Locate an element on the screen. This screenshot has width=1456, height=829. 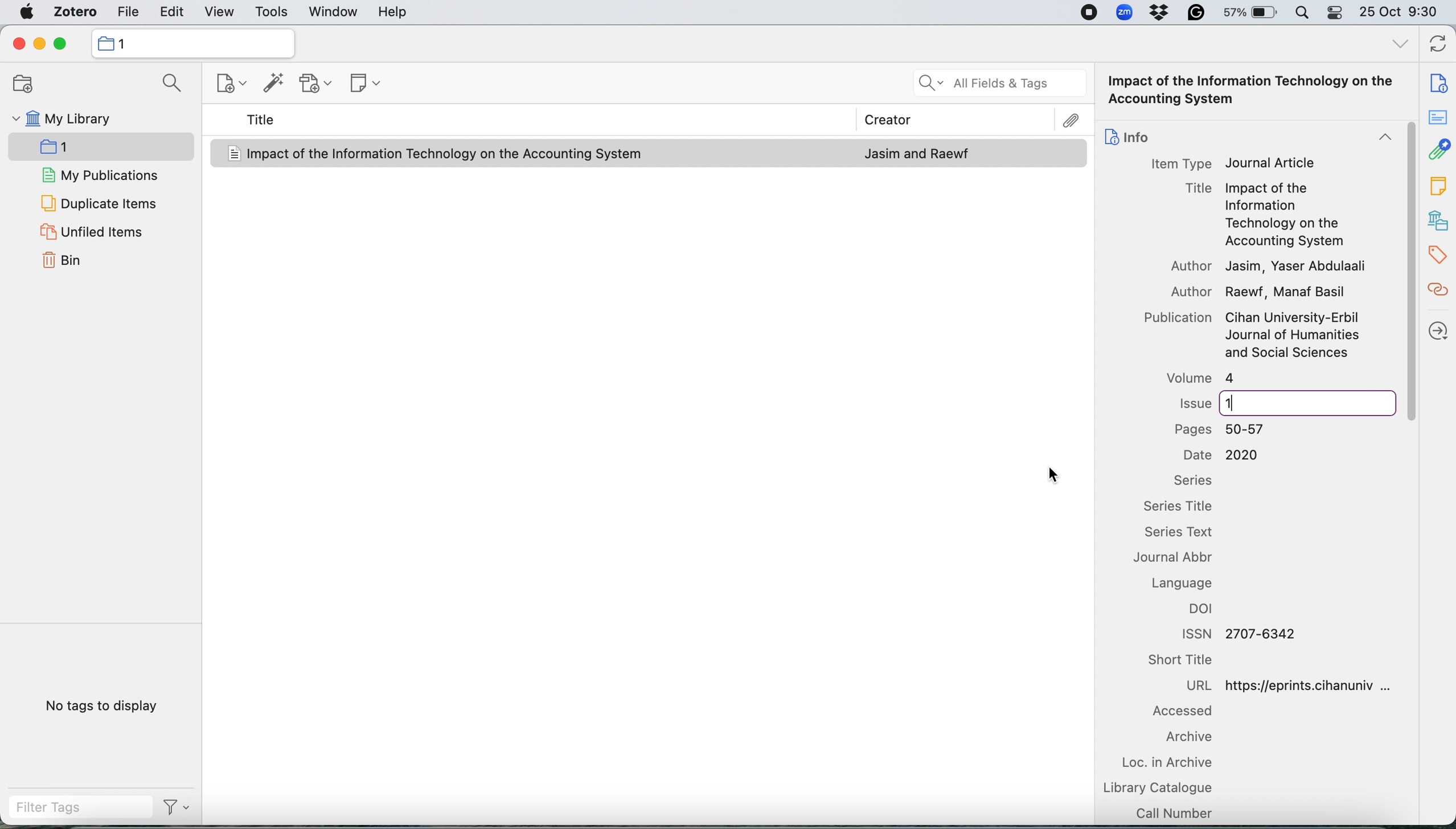
my library is located at coordinates (88, 120).